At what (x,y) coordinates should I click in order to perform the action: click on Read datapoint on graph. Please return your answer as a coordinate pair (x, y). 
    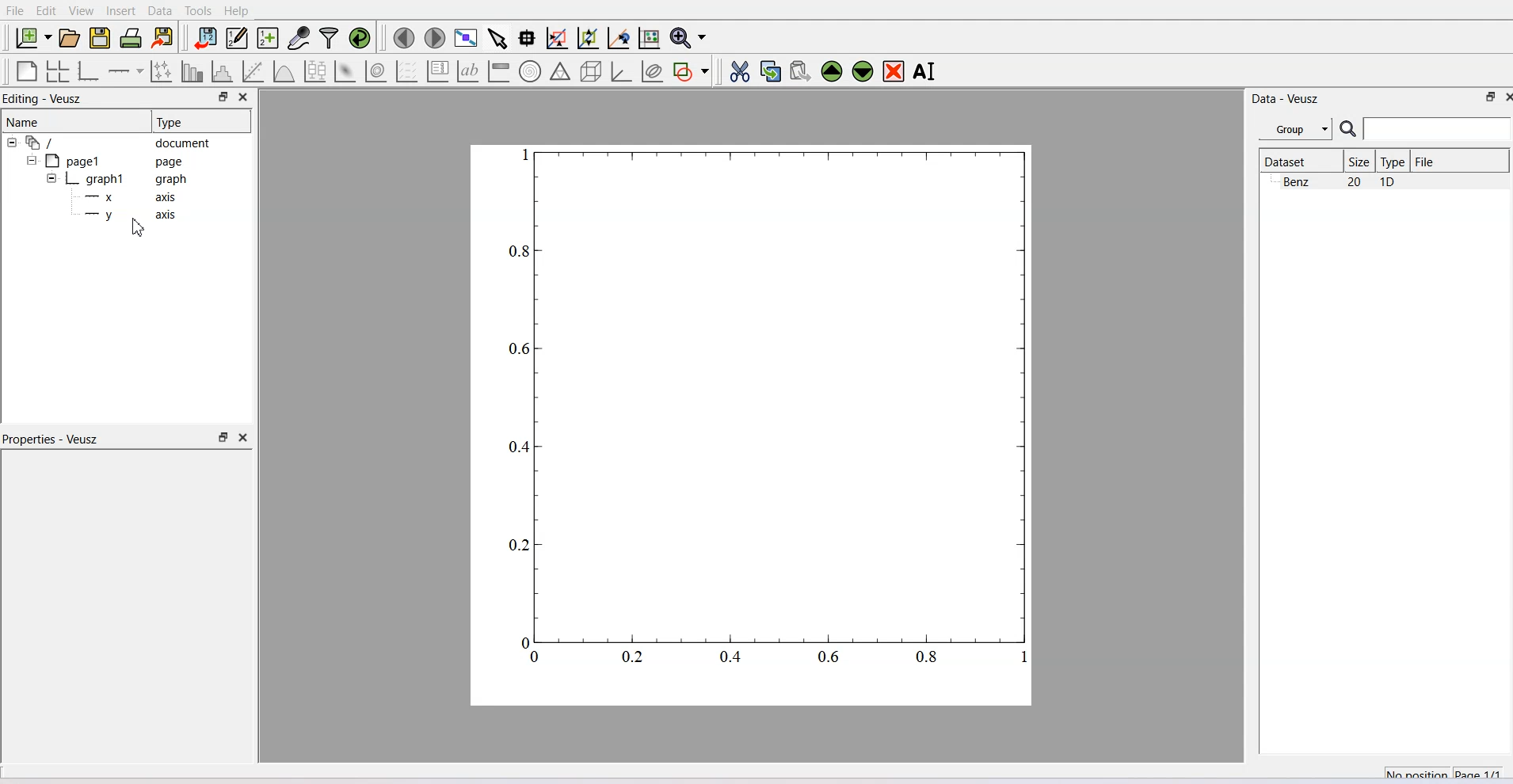
    Looking at the image, I should click on (528, 38).